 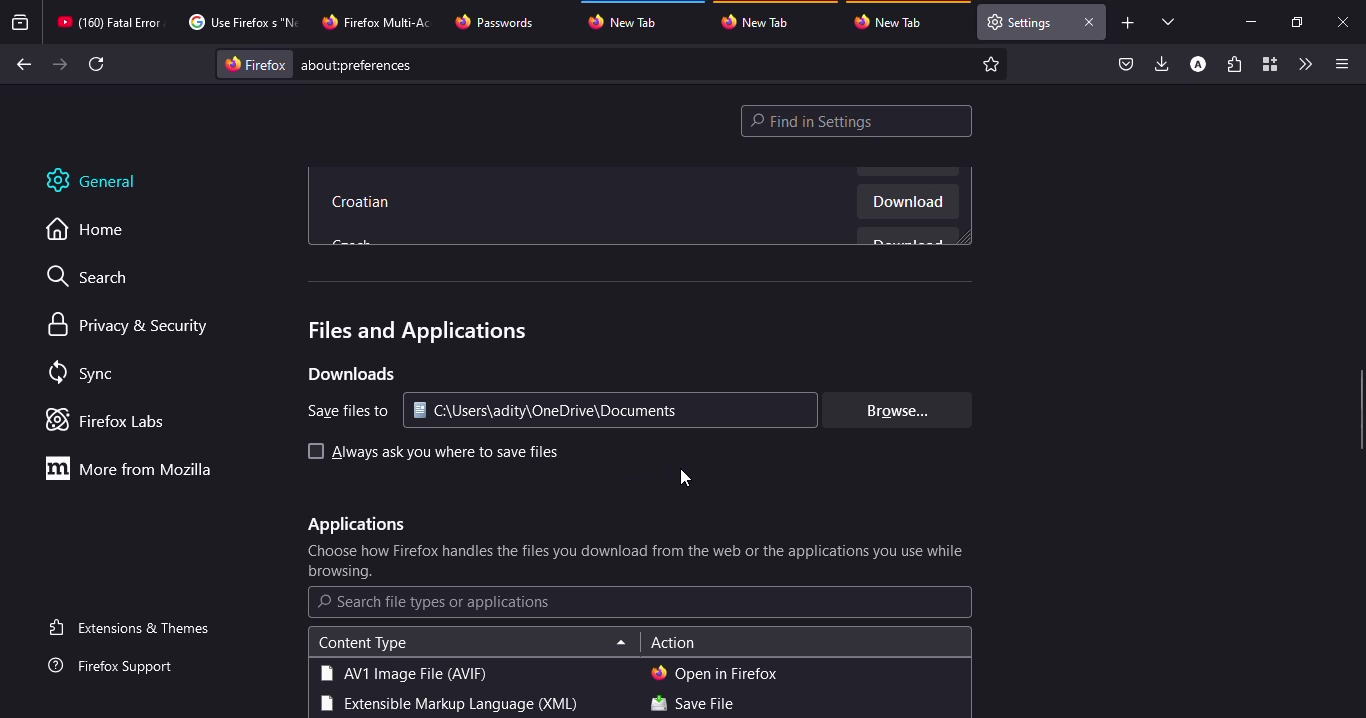 I want to click on content type, so click(x=362, y=643).